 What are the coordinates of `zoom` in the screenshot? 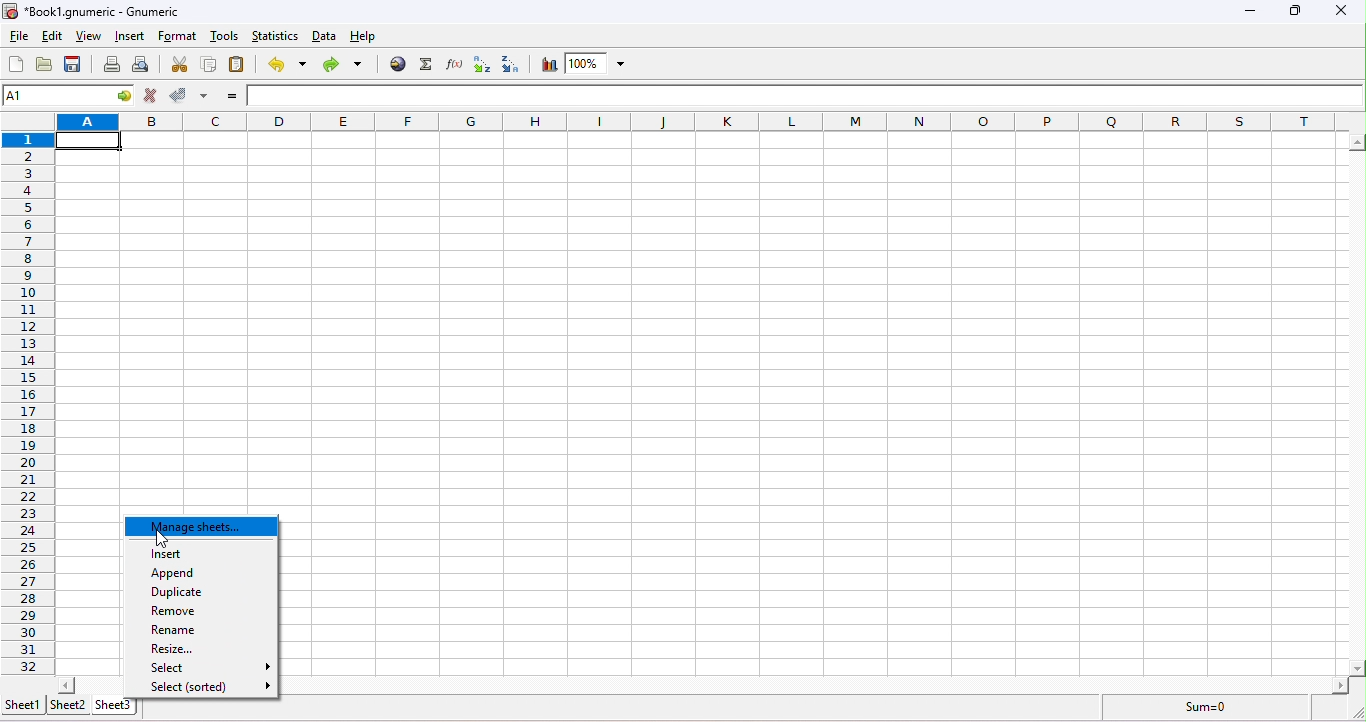 It's located at (602, 64).